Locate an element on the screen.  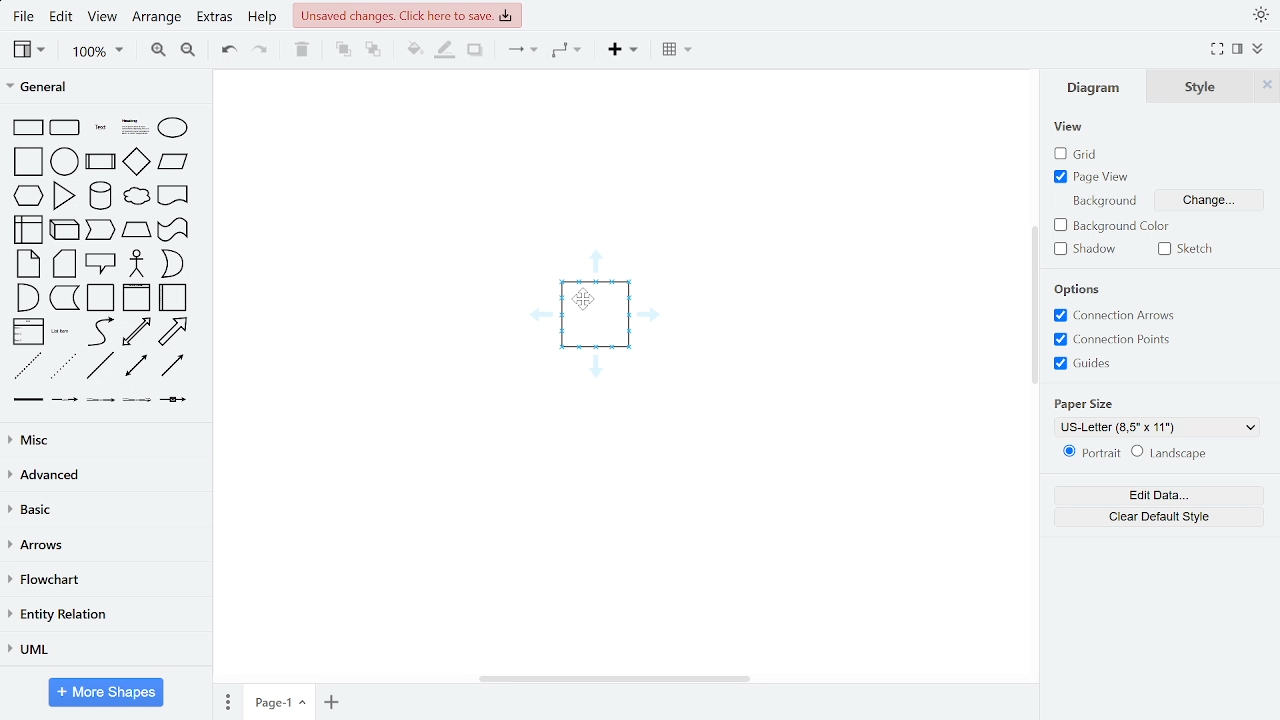
View is located at coordinates (1072, 127).